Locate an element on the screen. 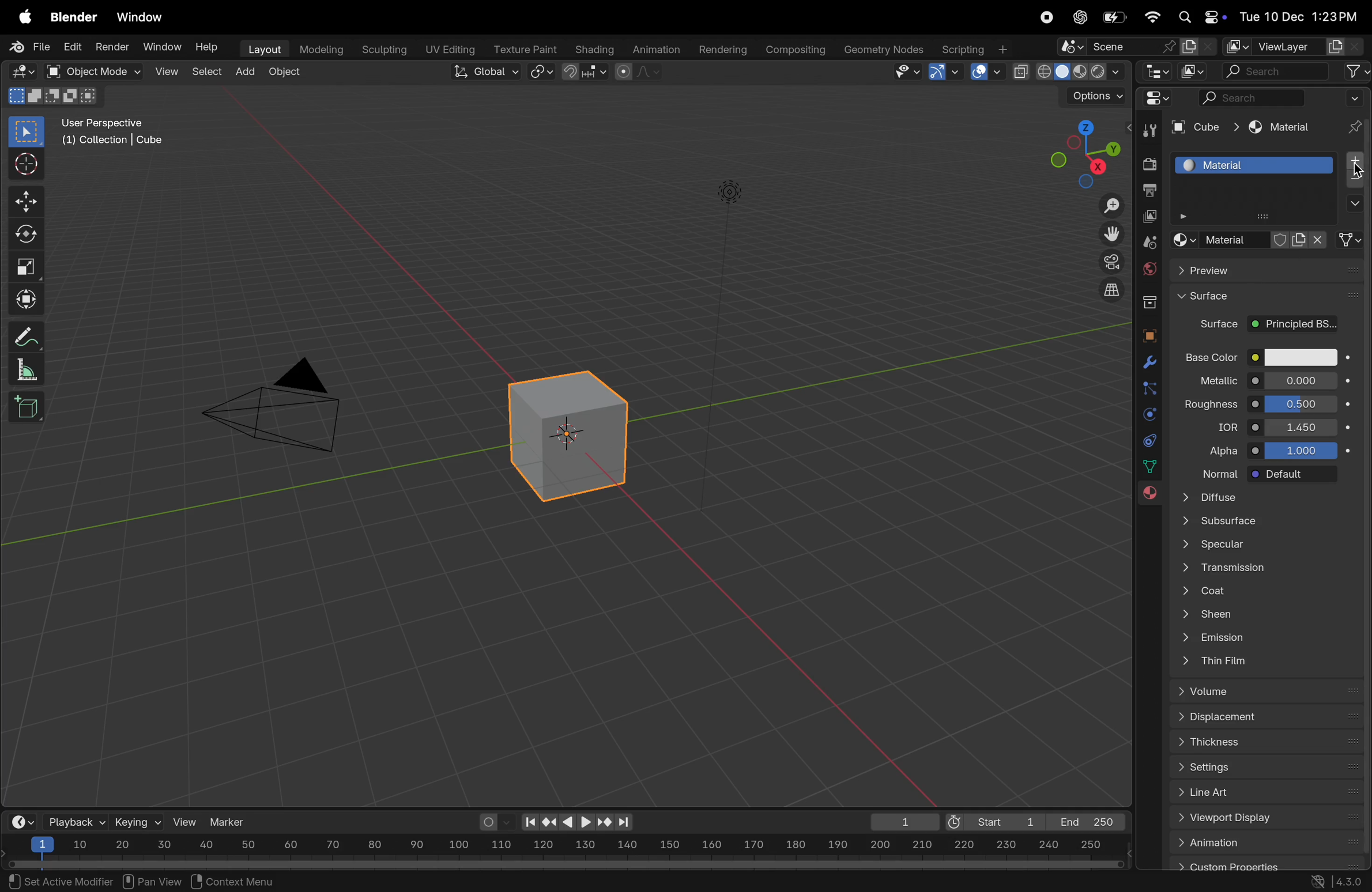 This screenshot has height=892, width=1372. wifi is located at coordinates (1152, 17).